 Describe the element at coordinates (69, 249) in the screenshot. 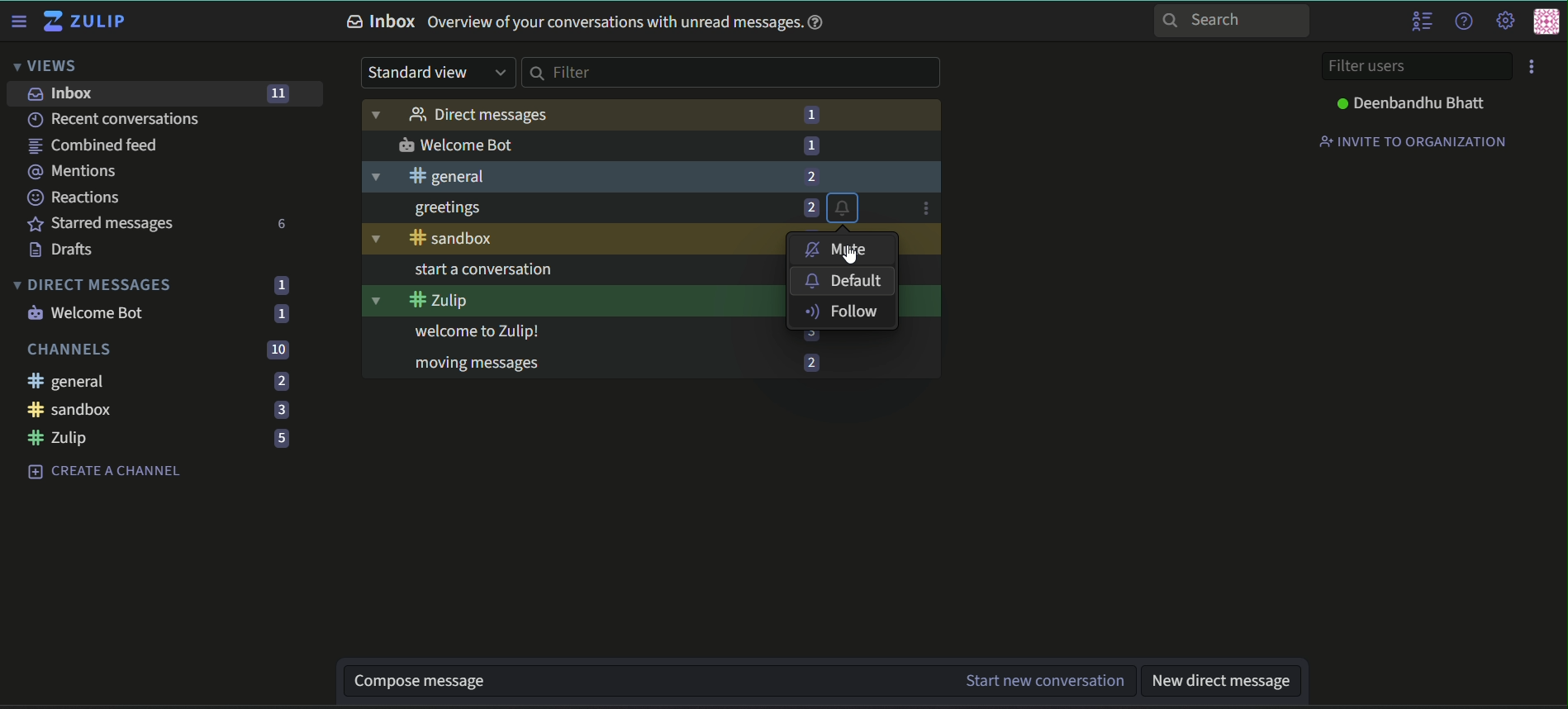

I see `Drafts` at that location.